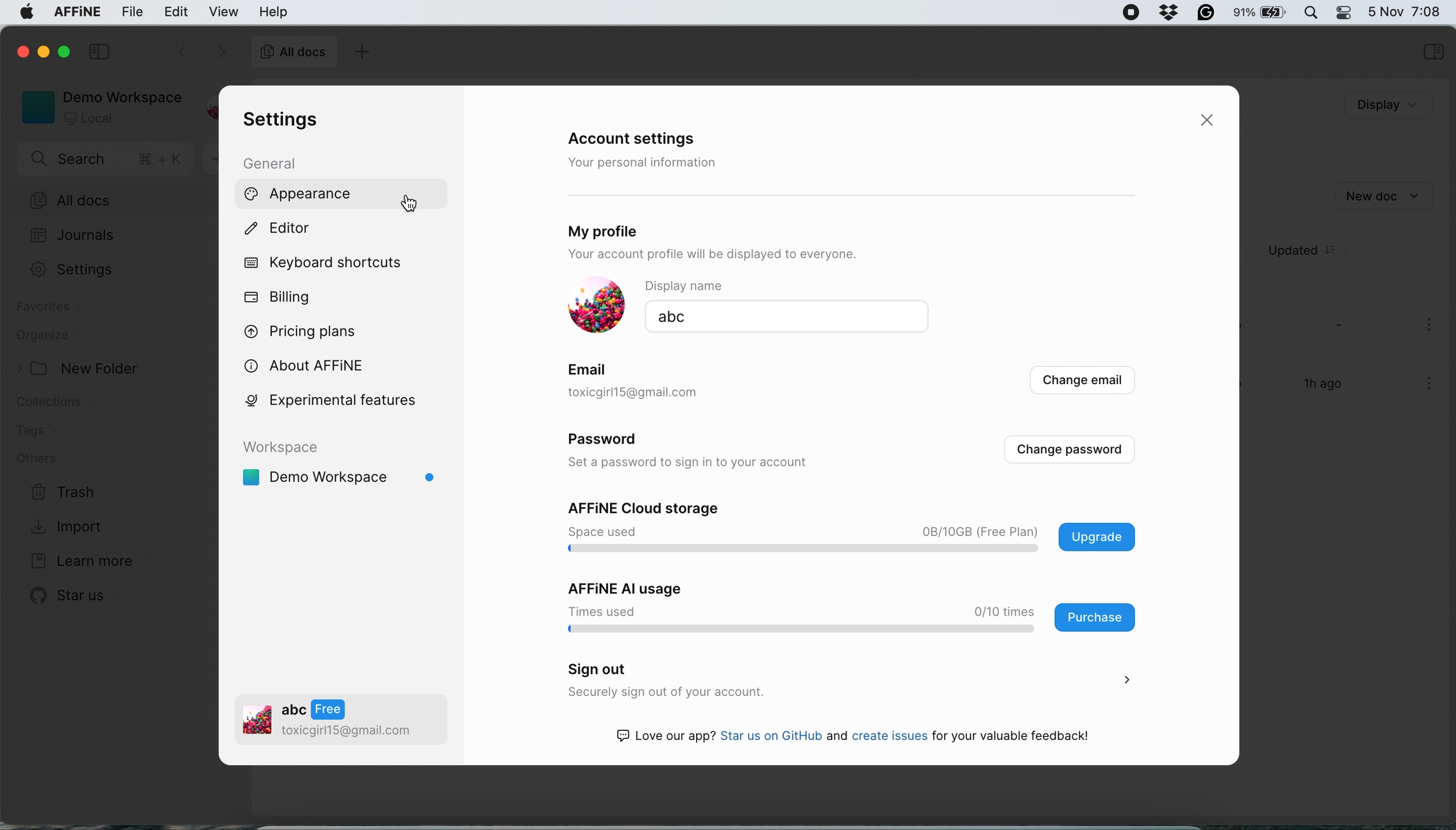 Image resolution: width=1456 pixels, height=830 pixels. I want to click on Workspace, so click(289, 447).